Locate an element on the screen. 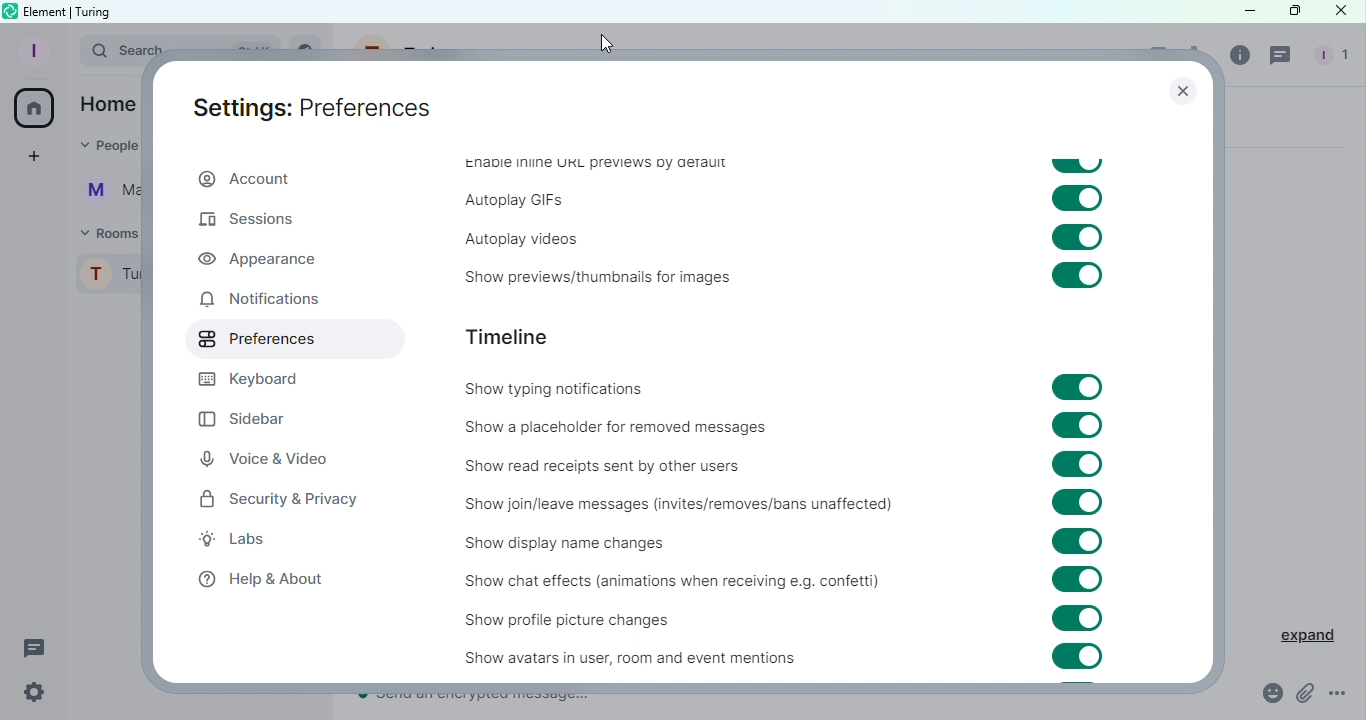 The width and height of the screenshot is (1366, 720). Home  is located at coordinates (108, 103).